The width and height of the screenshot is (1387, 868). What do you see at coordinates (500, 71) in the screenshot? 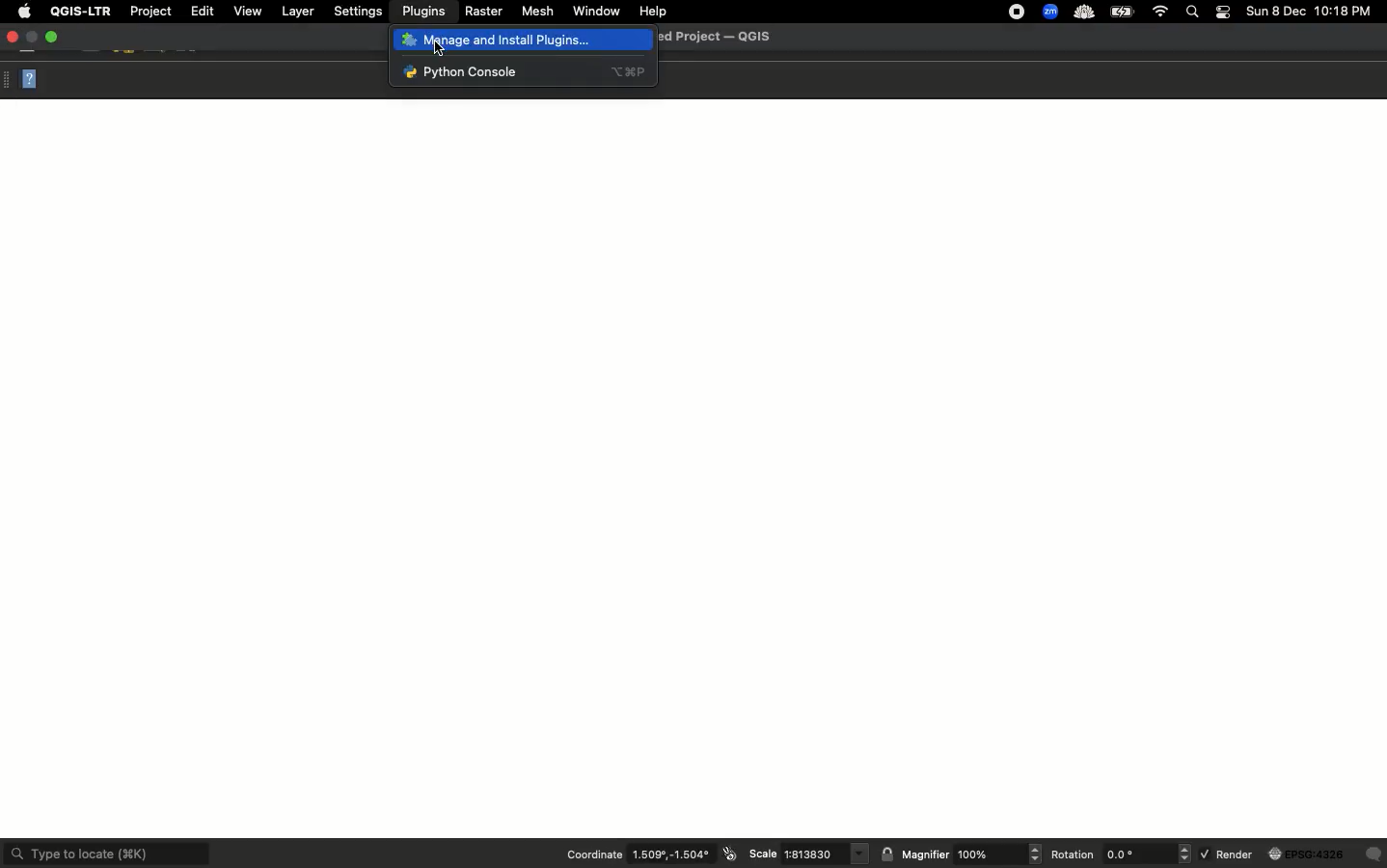
I see `Python console` at bounding box center [500, 71].